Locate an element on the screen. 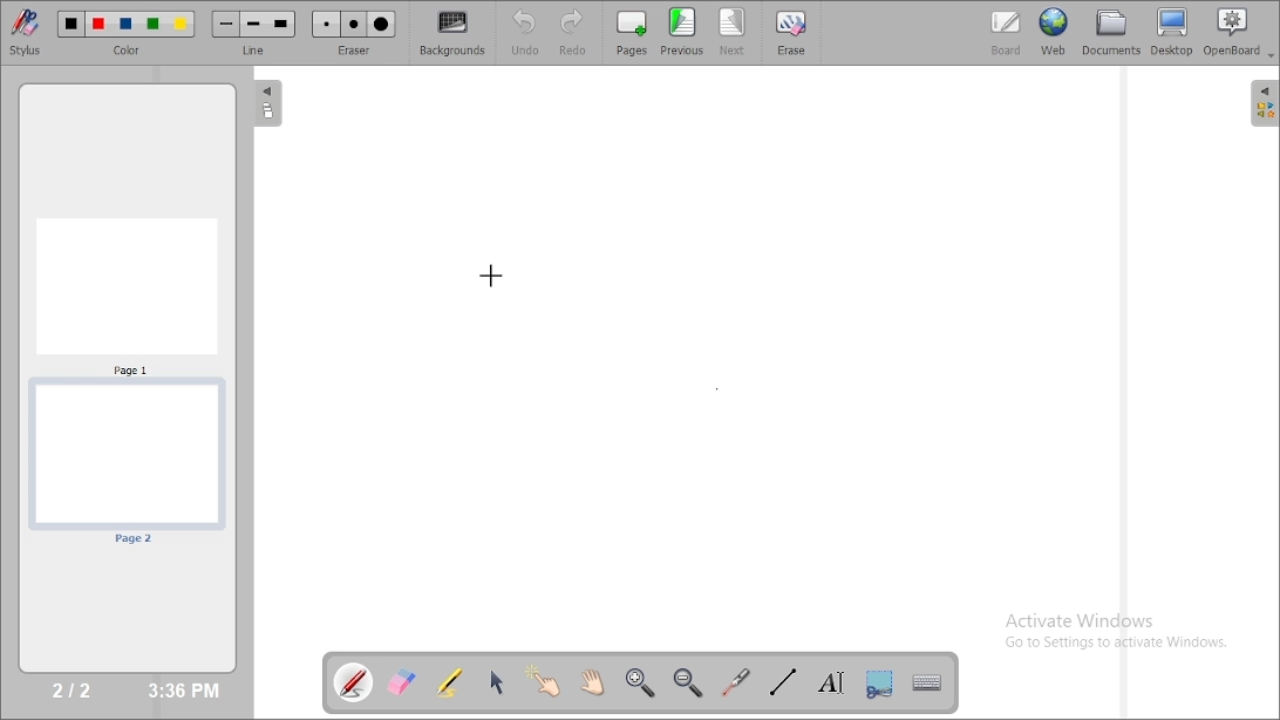 This screenshot has height=720, width=1280. pages is located at coordinates (632, 32).